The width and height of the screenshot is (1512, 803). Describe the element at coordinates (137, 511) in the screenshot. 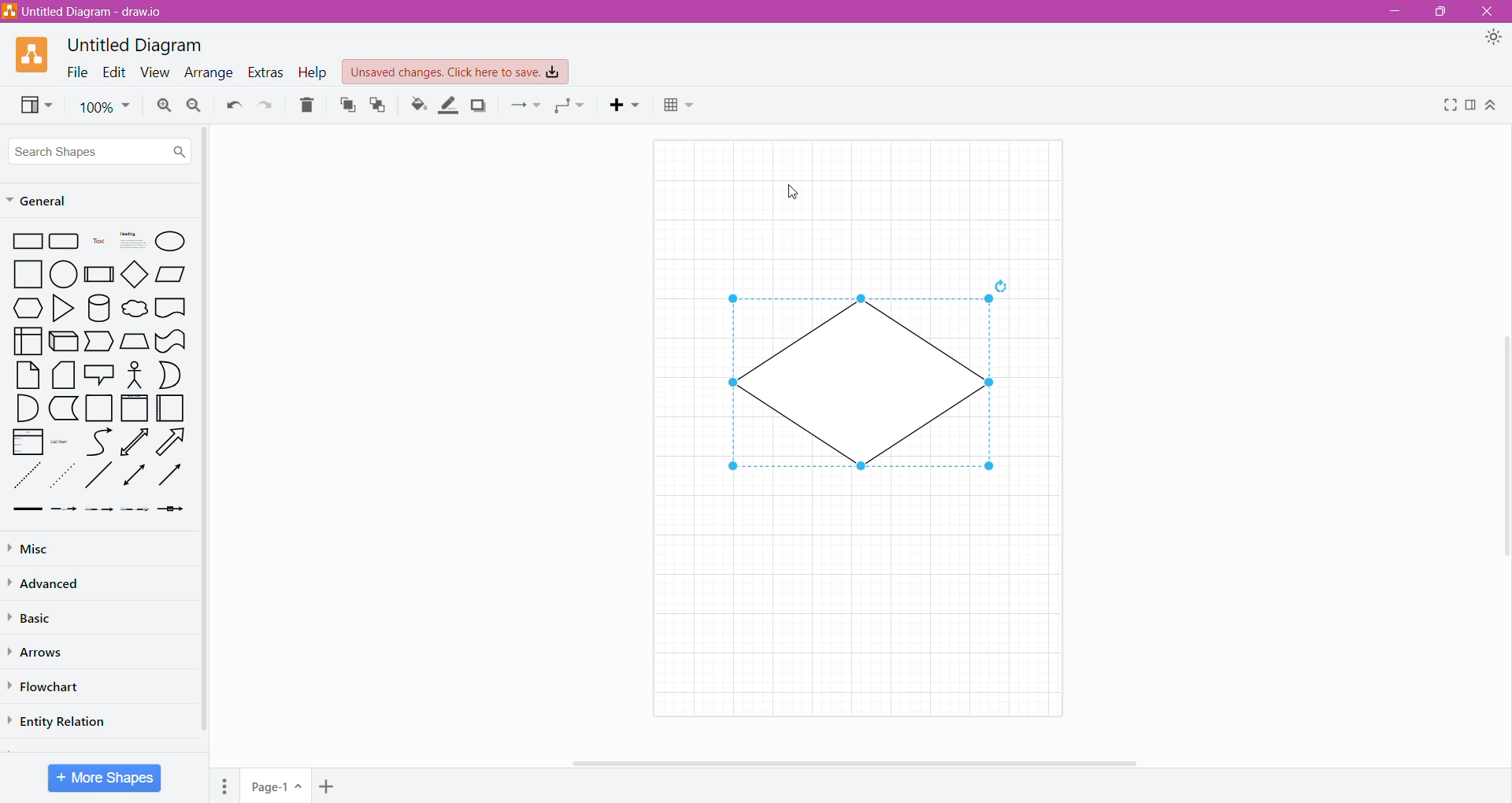

I see `Connector with 3 Labels` at that location.